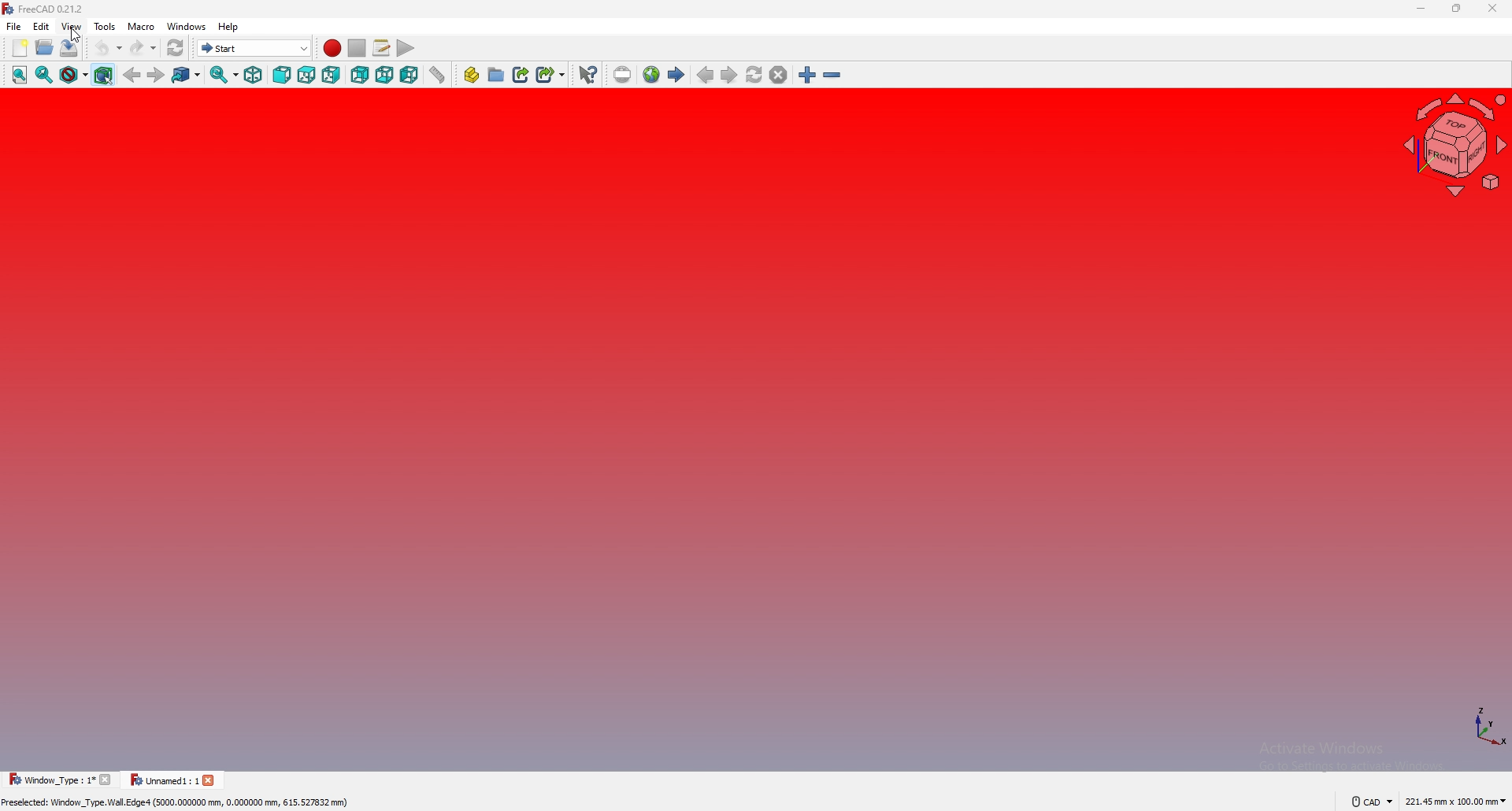 The height and width of the screenshot is (811, 1512). What do you see at coordinates (1493, 9) in the screenshot?
I see `close` at bounding box center [1493, 9].